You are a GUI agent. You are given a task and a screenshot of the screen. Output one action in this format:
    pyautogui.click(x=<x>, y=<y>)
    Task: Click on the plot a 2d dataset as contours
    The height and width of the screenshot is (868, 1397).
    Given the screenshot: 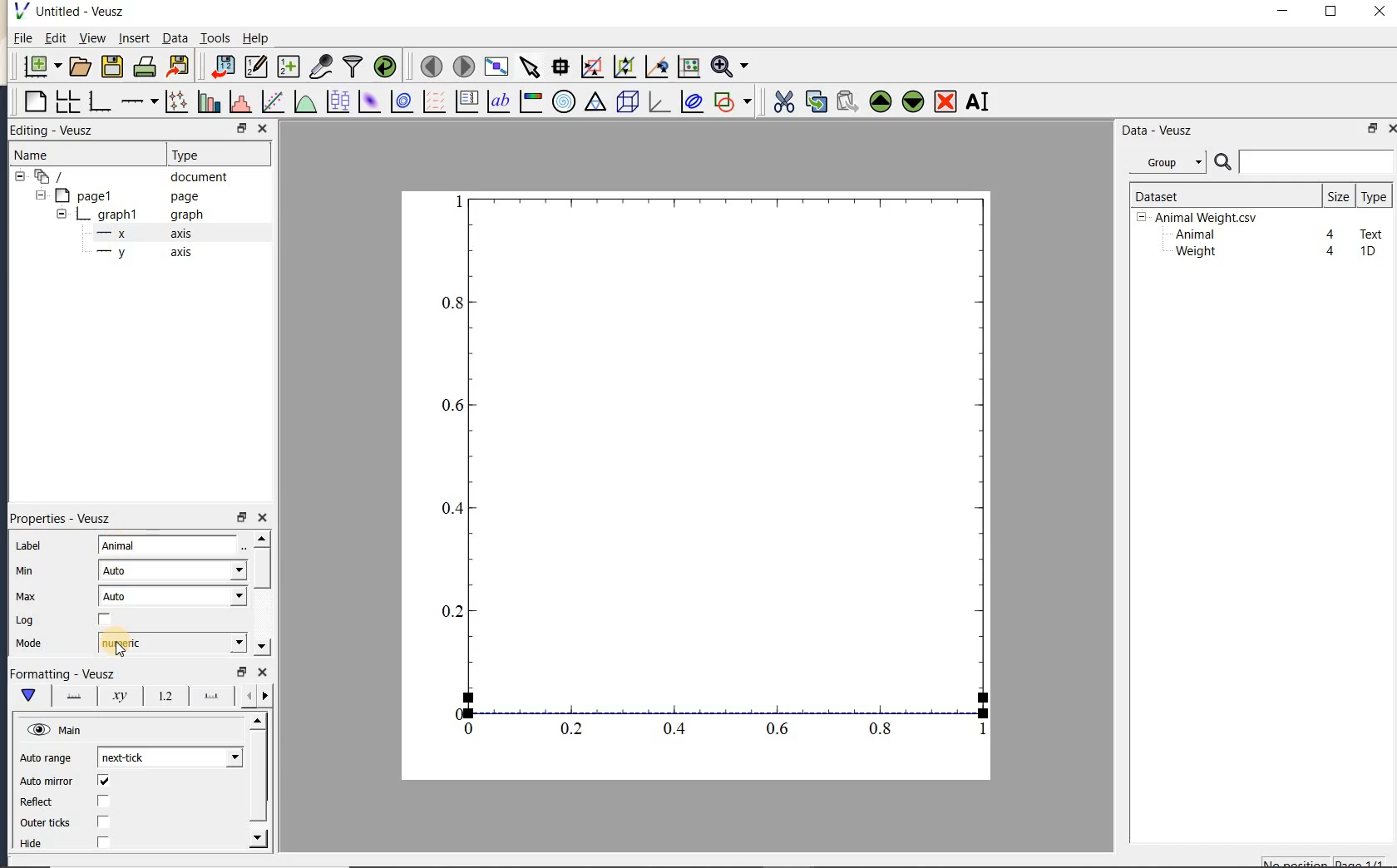 What is the action you would take?
    pyautogui.click(x=400, y=101)
    